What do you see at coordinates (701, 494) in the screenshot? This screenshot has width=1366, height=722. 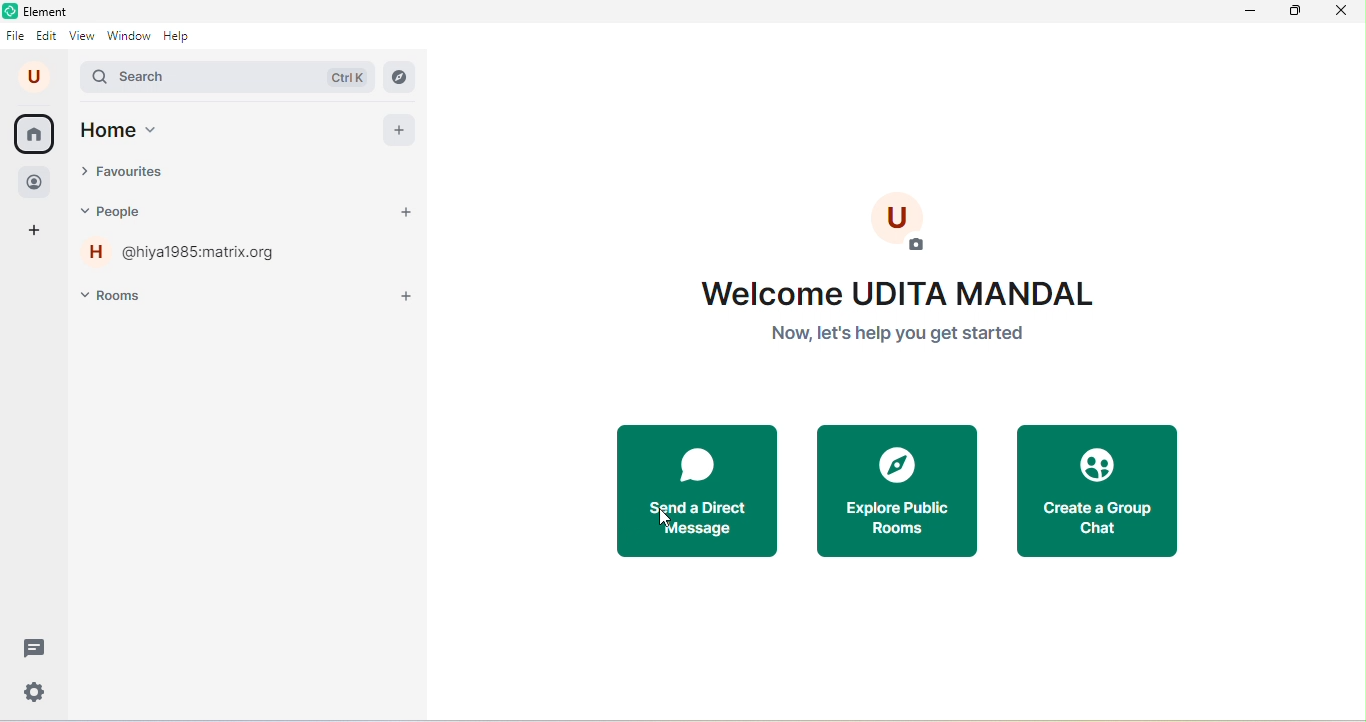 I see `send a direct message` at bounding box center [701, 494].